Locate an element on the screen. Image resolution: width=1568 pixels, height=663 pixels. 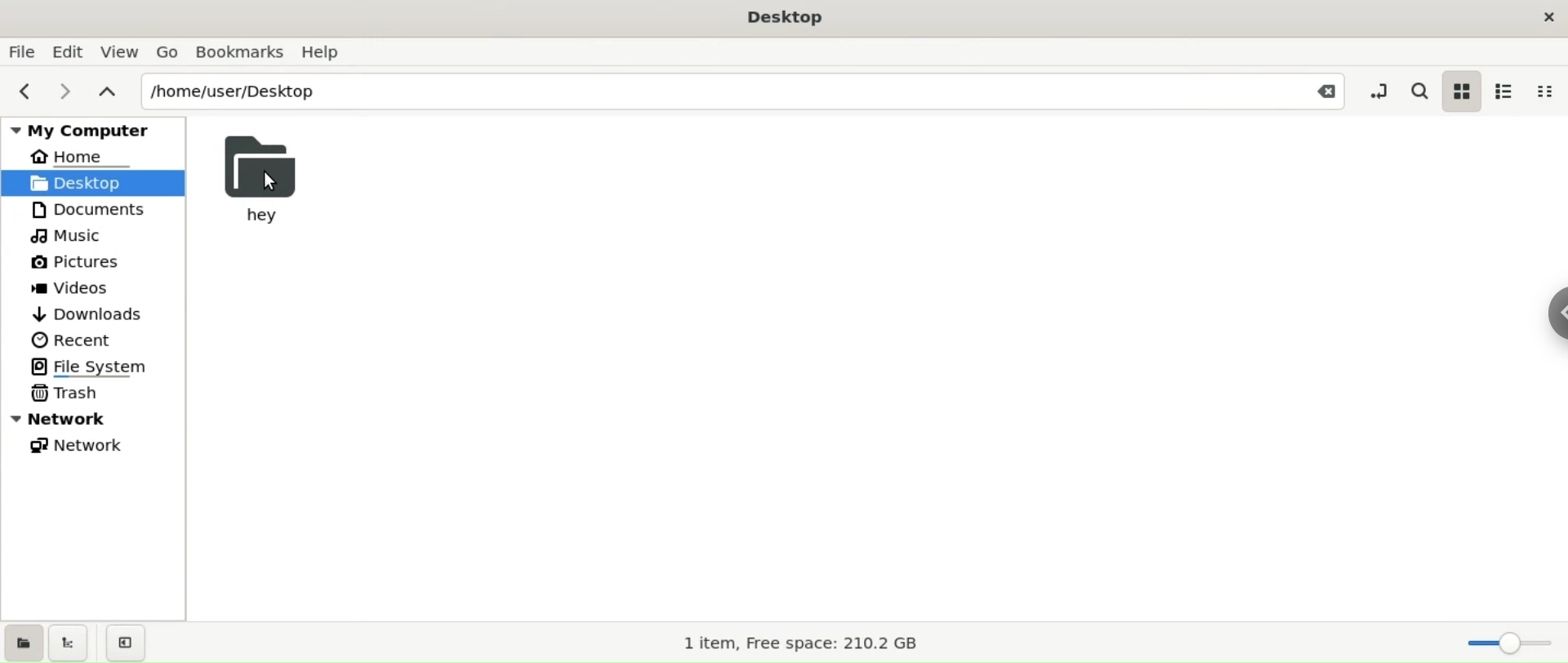
Documents is located at coordinates (89, 211).